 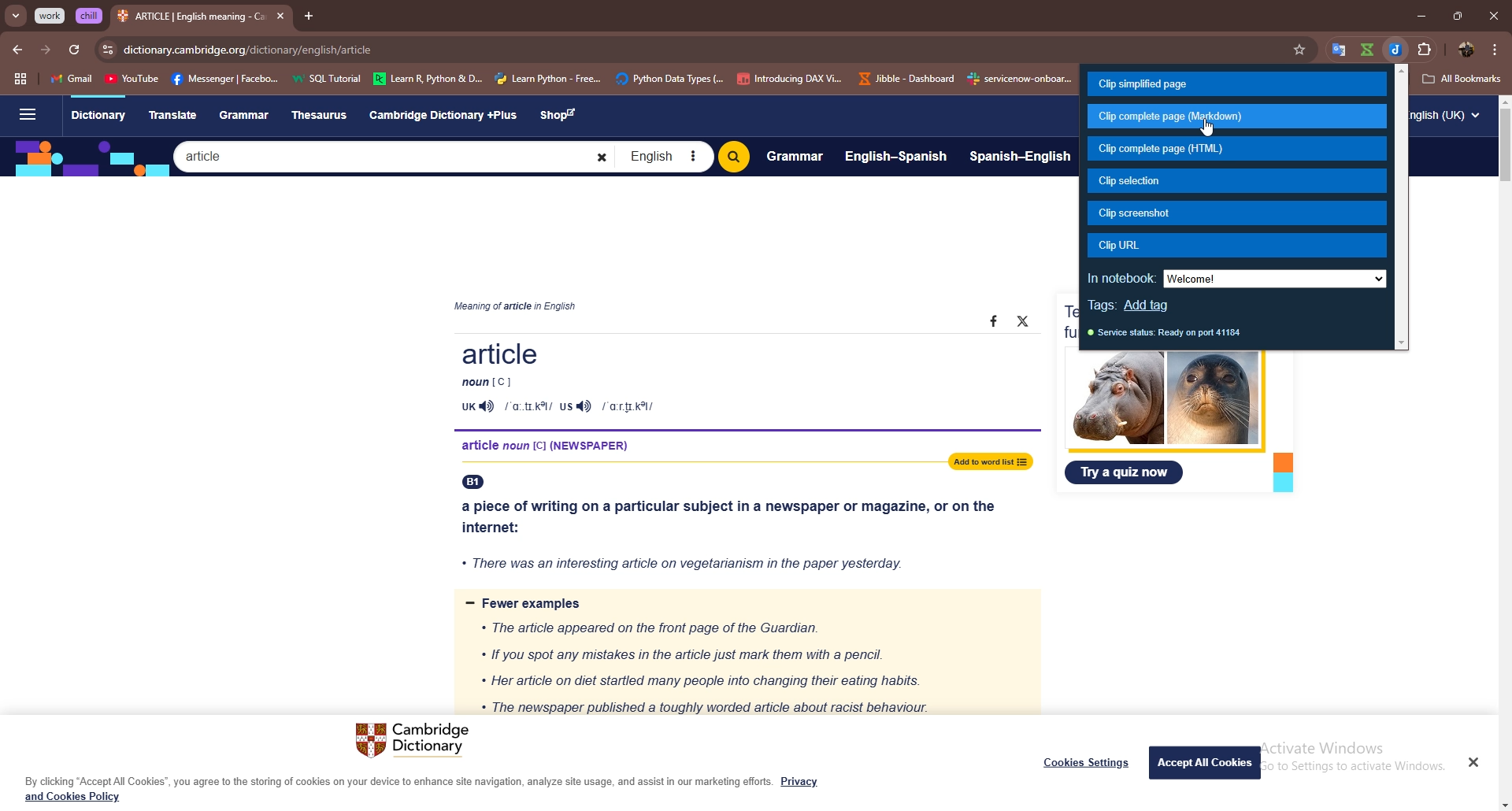 I want to click on Spanish-English, so click(x=1021, y=158).